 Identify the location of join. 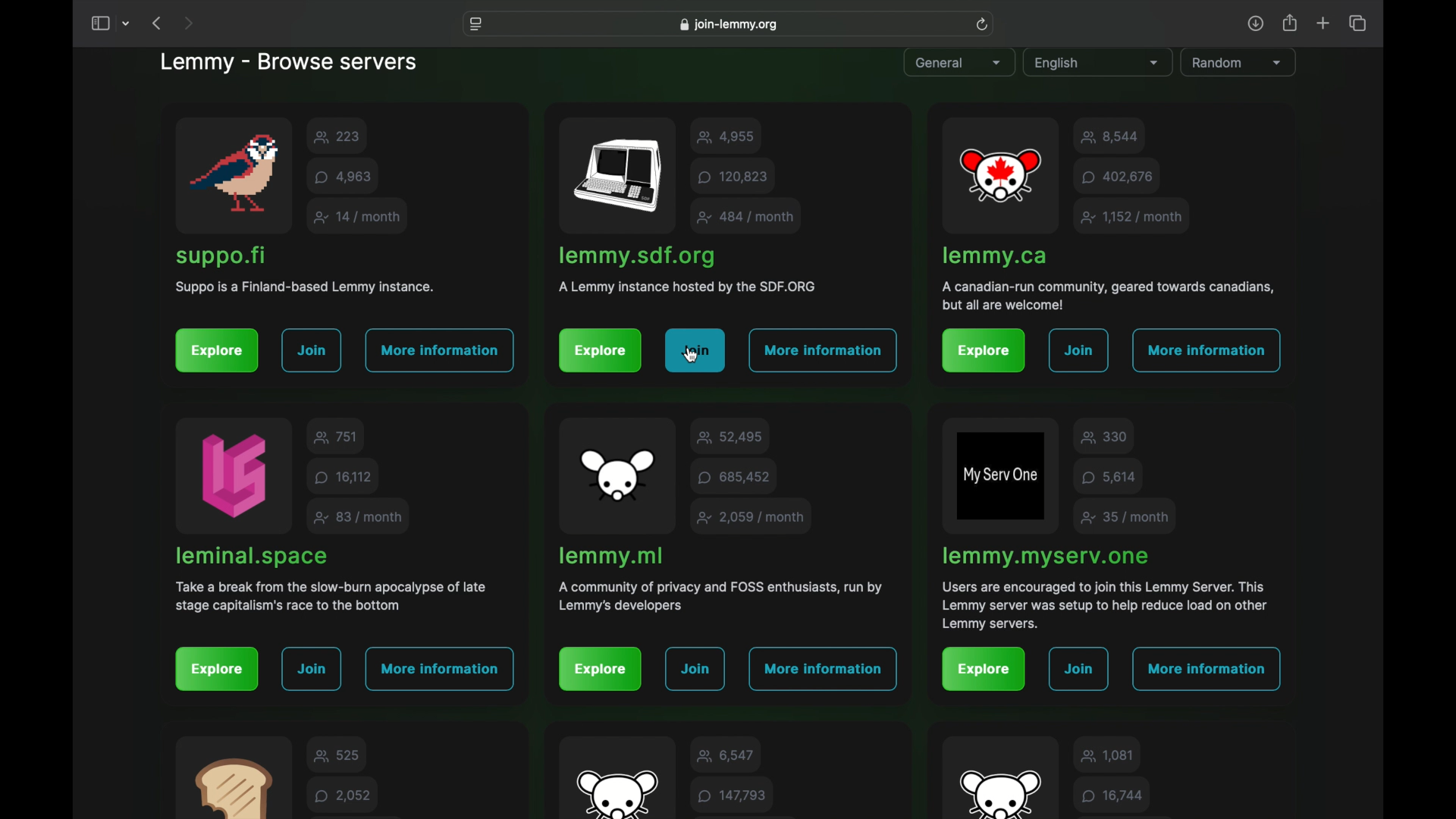
(697, 670).